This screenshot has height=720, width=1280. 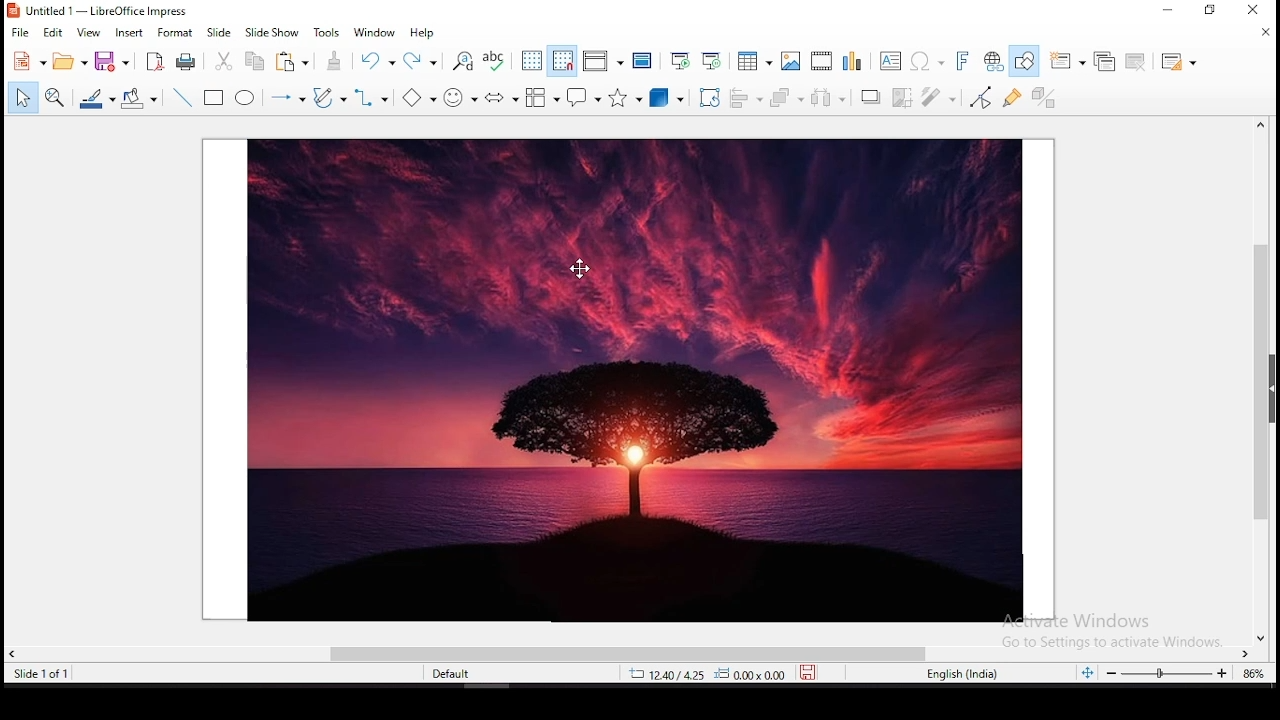 I want to click on window, so click(x=377, y=32).